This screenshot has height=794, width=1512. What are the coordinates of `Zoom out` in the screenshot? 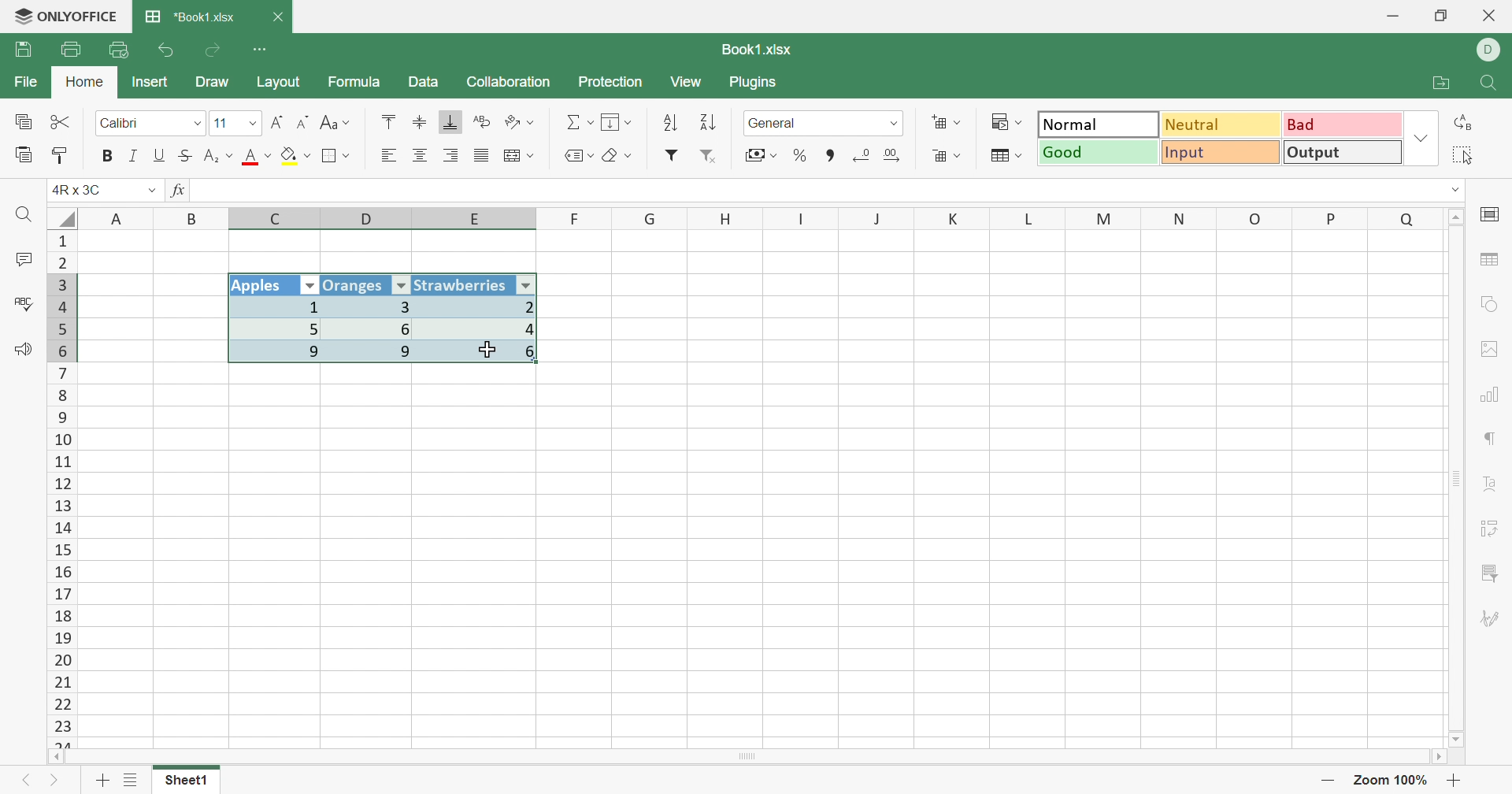 It's located at (1329, 780).